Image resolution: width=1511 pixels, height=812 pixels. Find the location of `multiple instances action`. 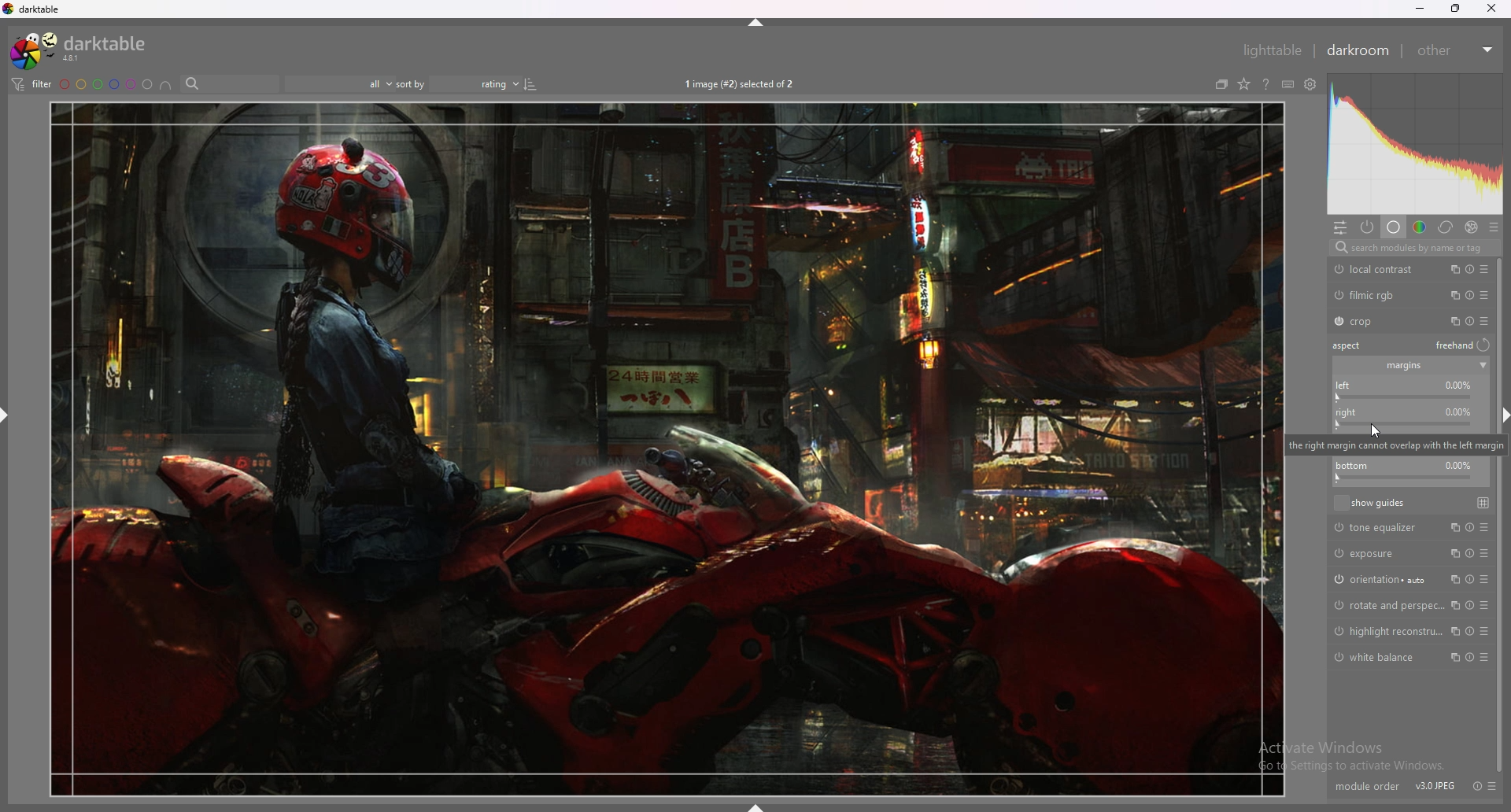

multiple instances action is located at coordinates (1452, 295).